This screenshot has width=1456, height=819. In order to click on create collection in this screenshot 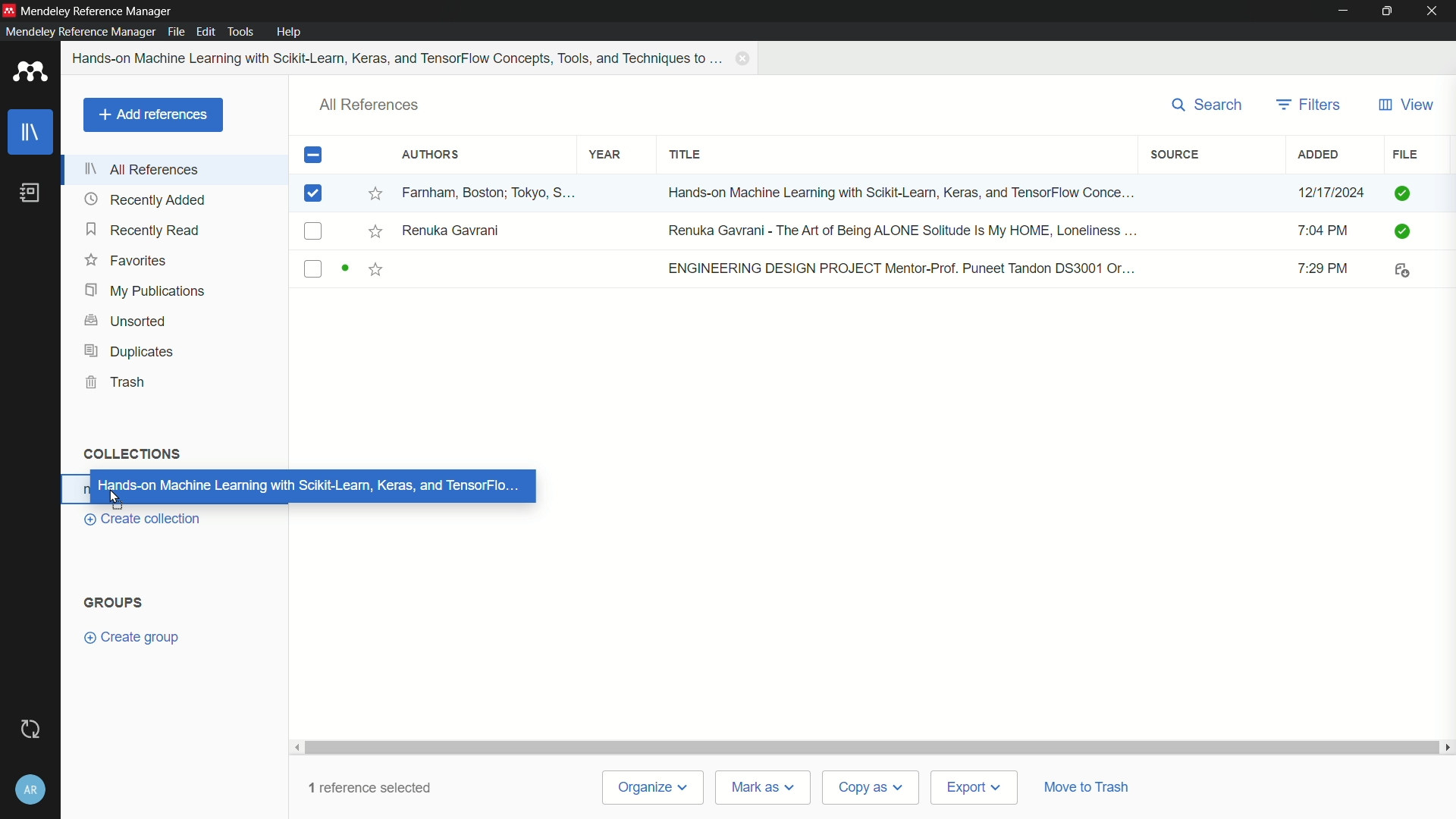, I will do `click(139, 519)`.